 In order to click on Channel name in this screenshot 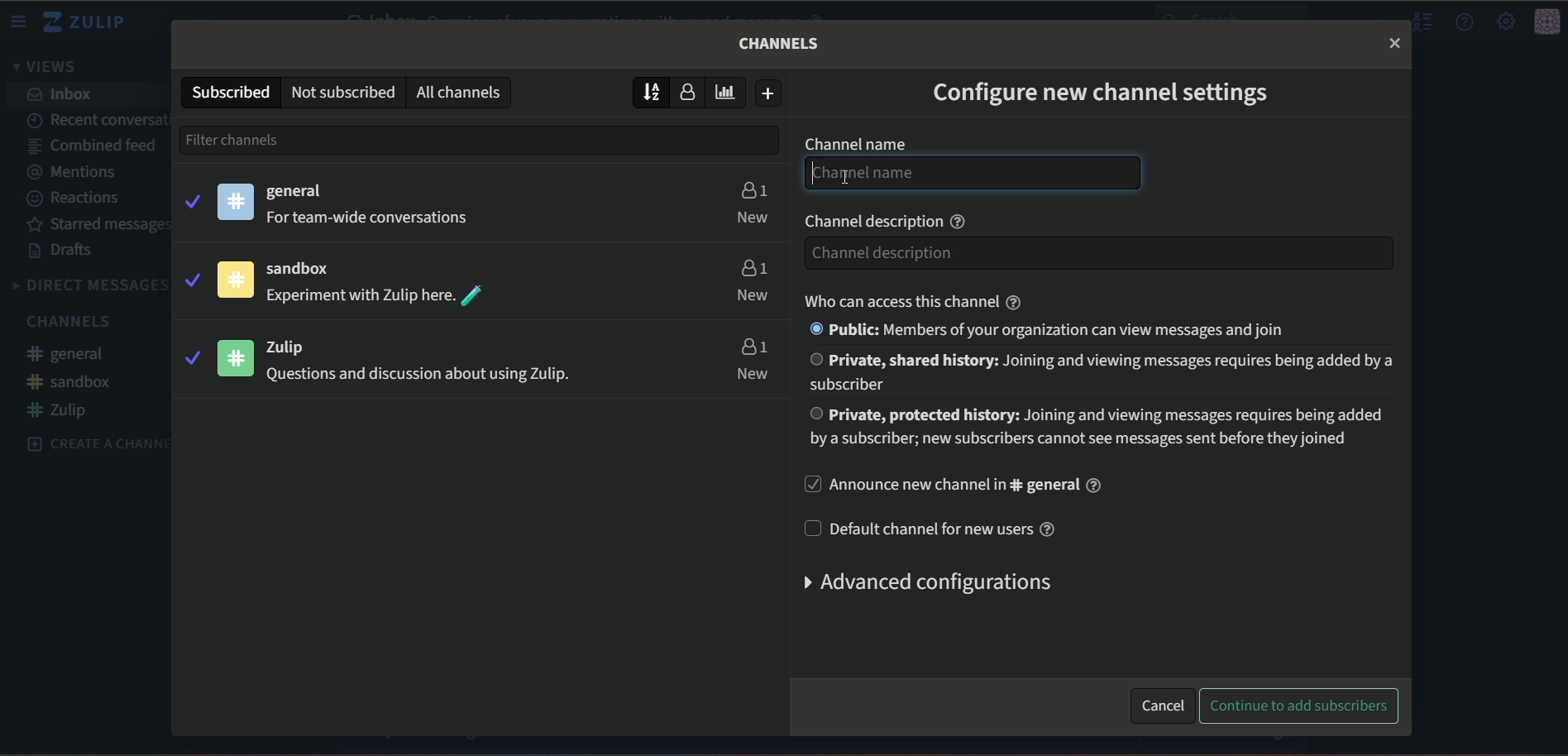, I will do `click(970, 173)`.